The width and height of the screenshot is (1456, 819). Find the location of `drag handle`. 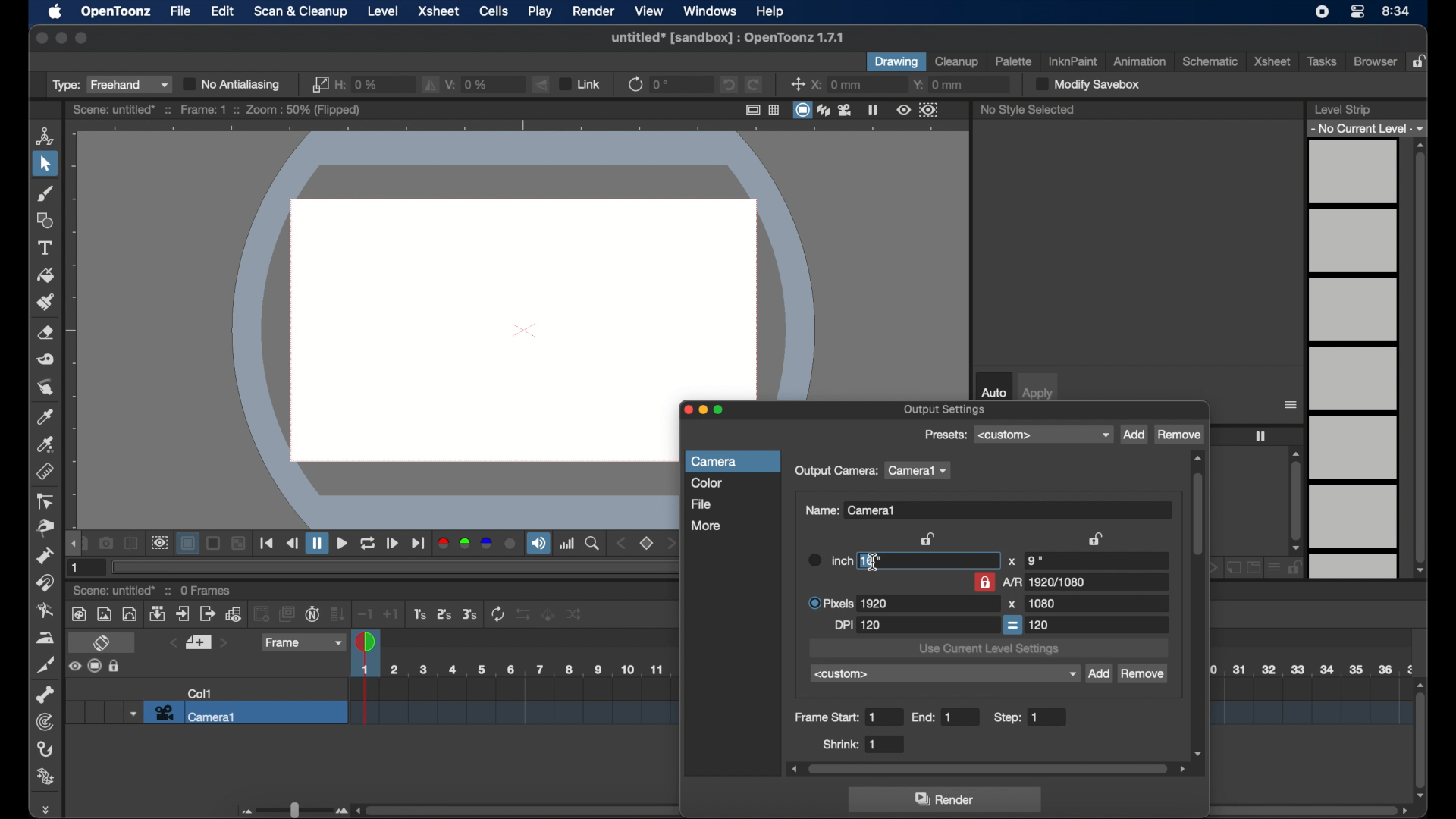

drag handle is located at coordinates (49, 809).